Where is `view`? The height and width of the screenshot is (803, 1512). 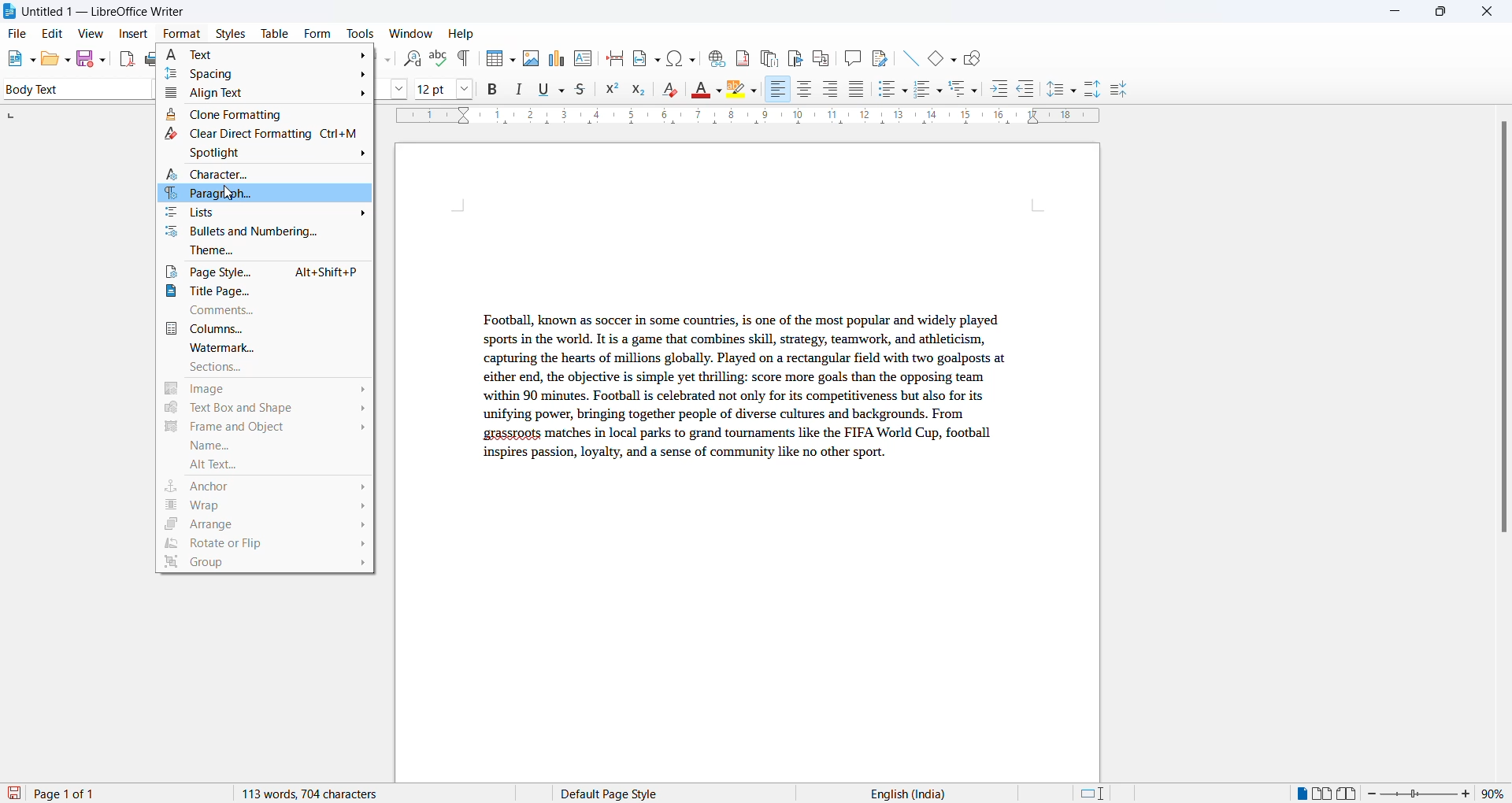
view is located at coordinates (93, 33).